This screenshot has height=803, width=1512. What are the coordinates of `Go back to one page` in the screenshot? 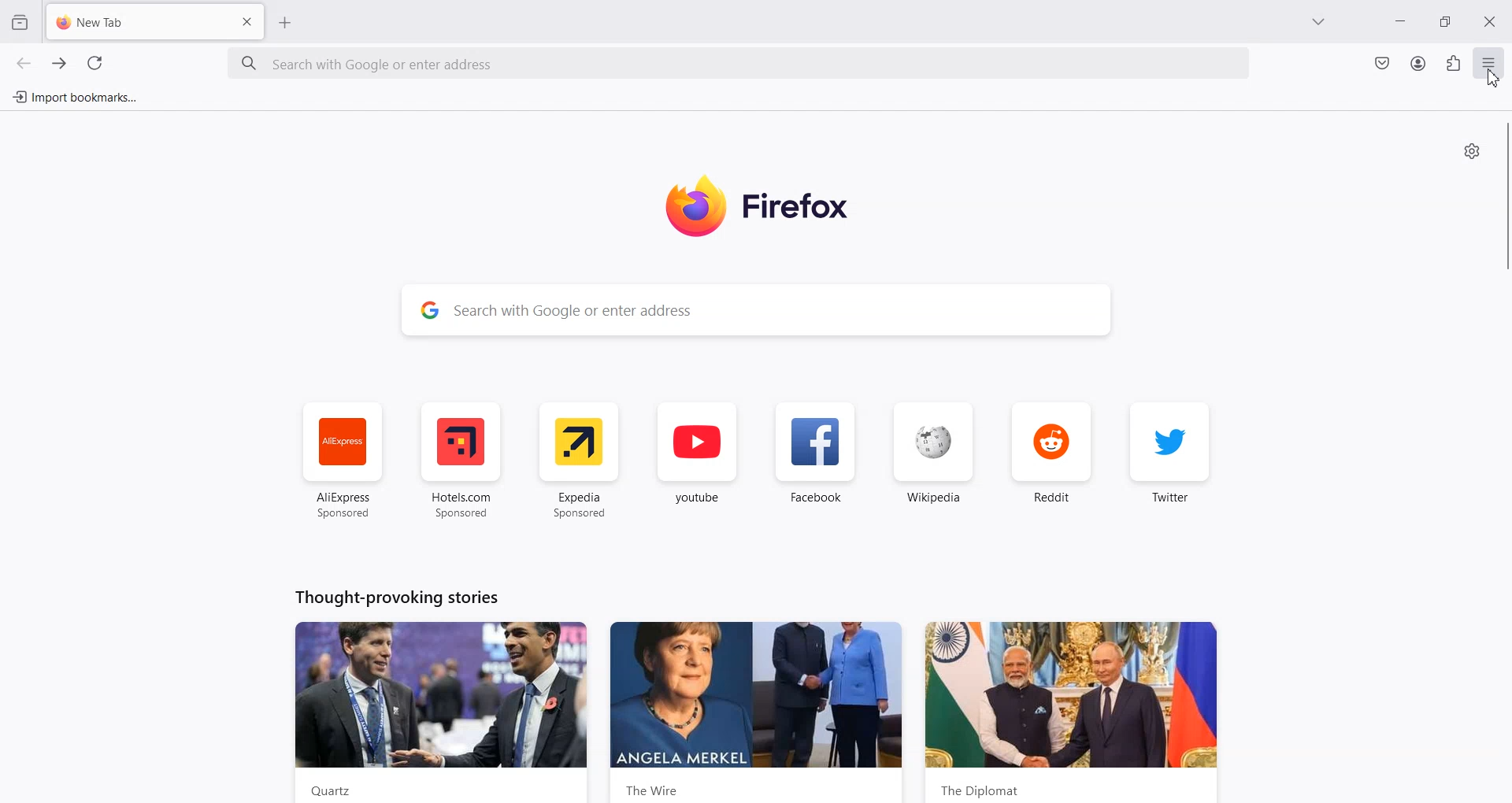 It's located at (23, 62).